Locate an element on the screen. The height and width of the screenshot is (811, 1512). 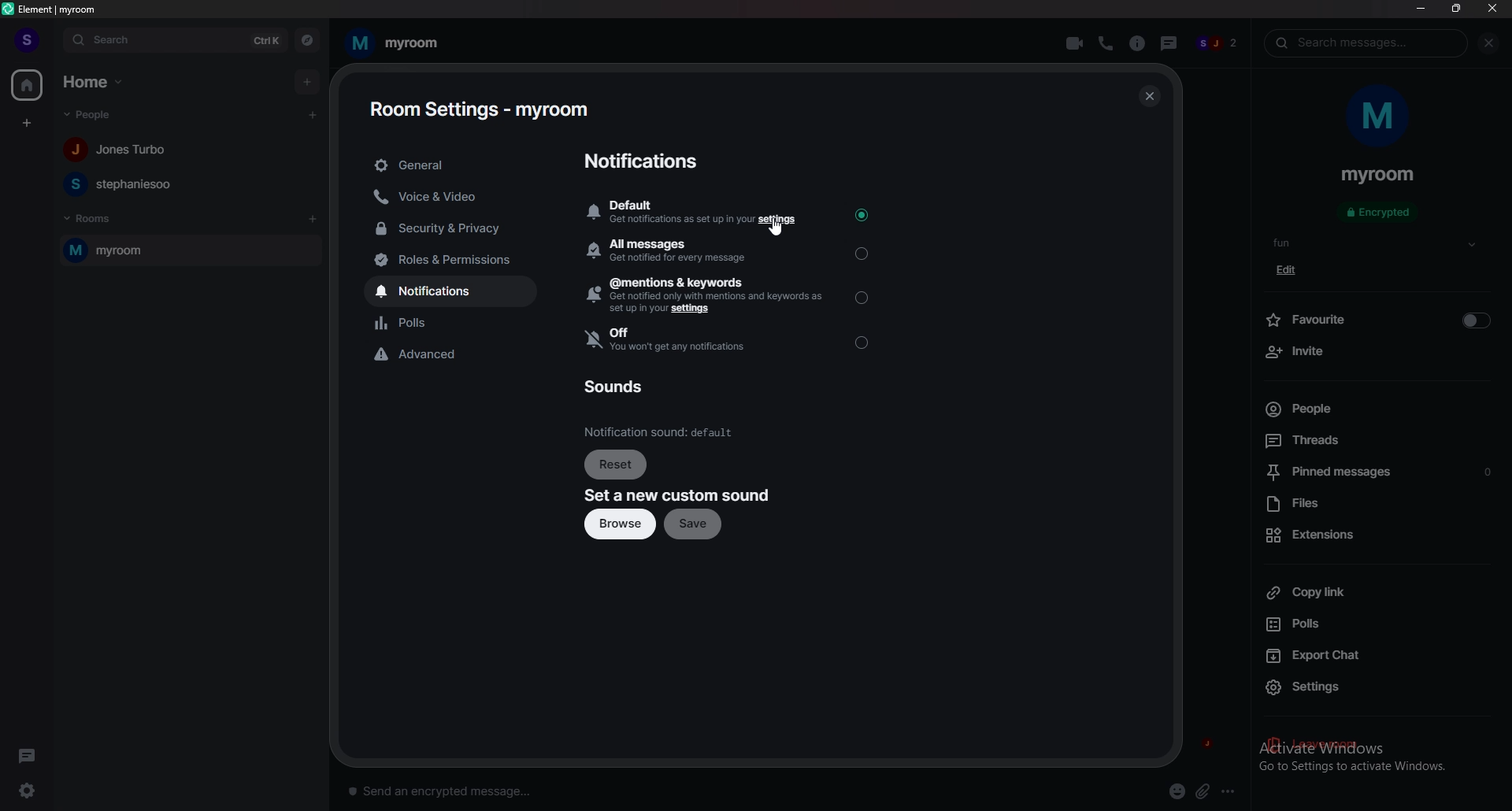
options is located at coordinates (1231, 791).